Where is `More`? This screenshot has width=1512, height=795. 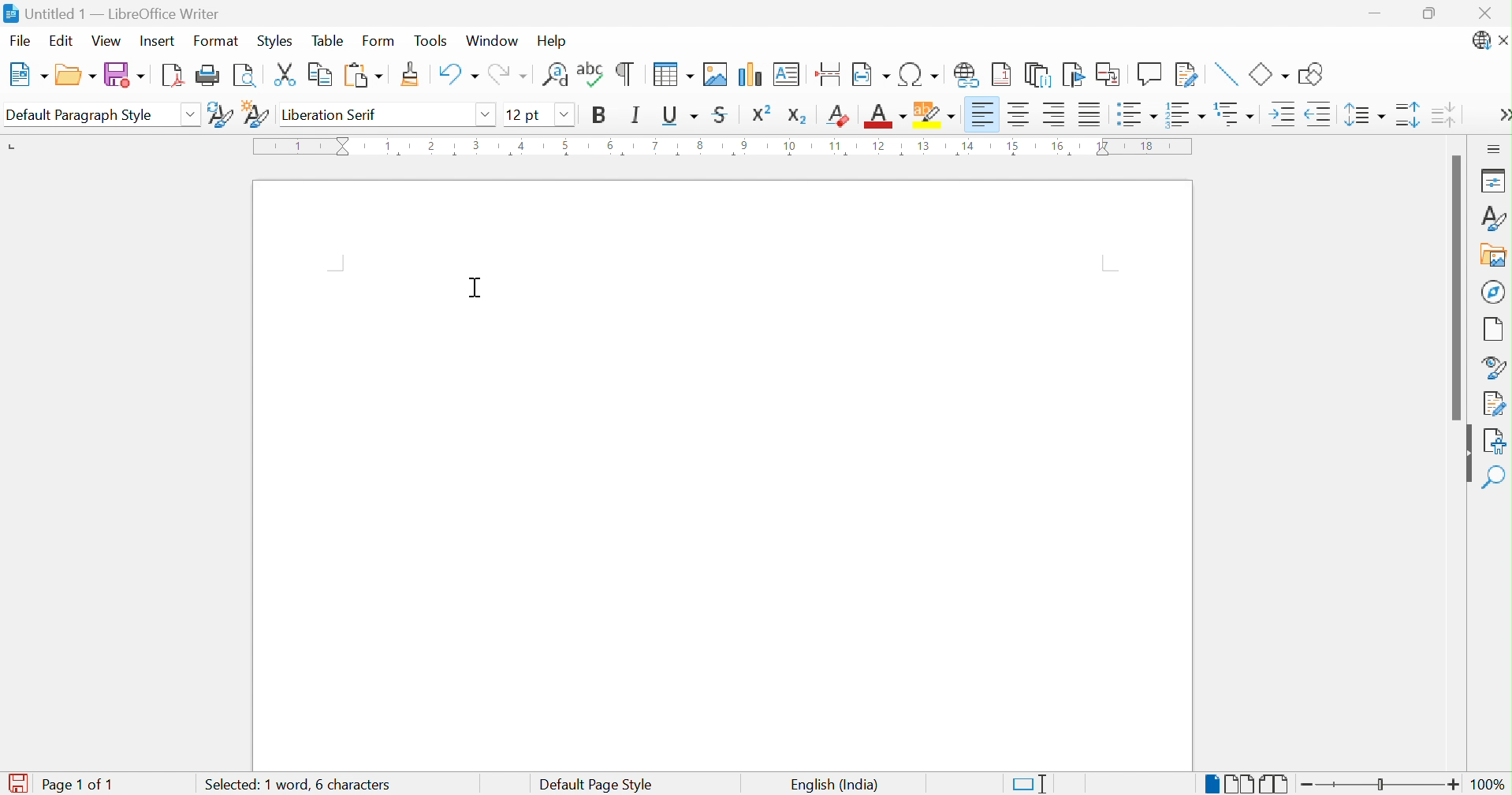 More is located at coordinates (1503, 117).